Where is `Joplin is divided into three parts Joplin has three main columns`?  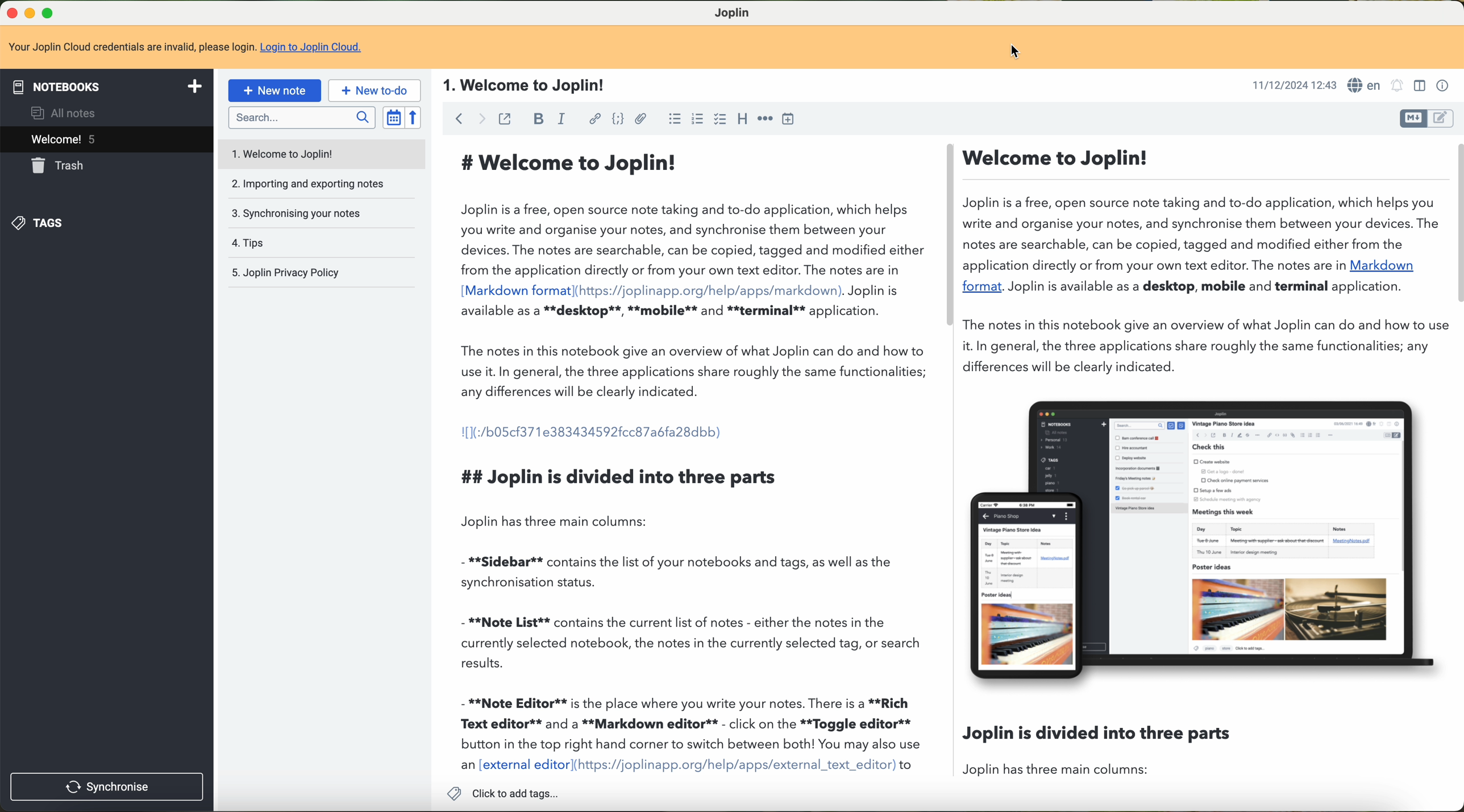
Joplin is divided into three parts Joplin has three main columns is located at coordinates (953, 748).